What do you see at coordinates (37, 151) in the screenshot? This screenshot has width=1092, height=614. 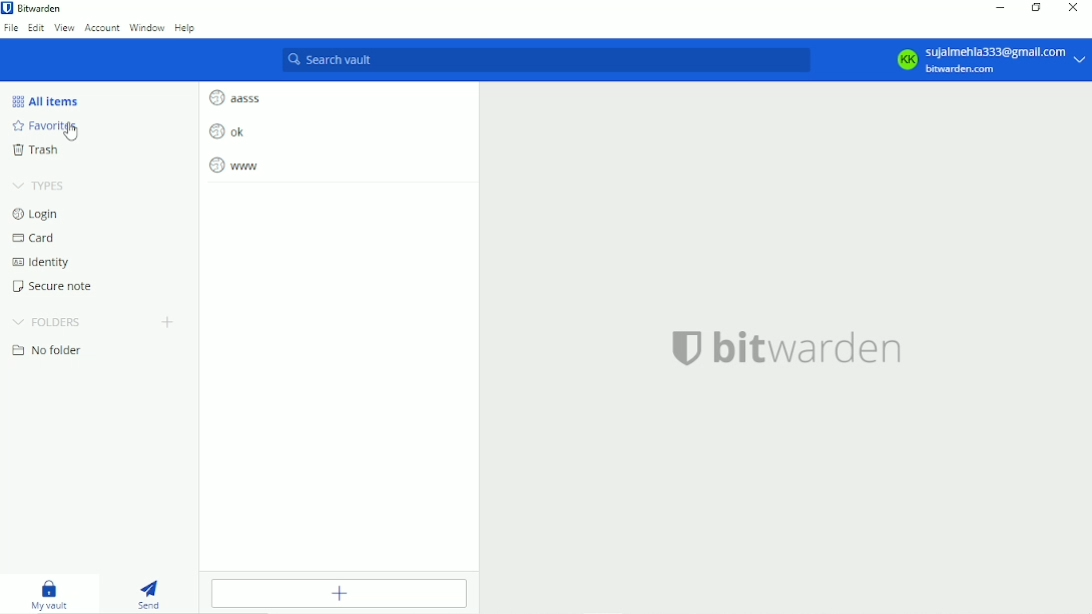 I see `Trash` at bounding box center [37, 151].